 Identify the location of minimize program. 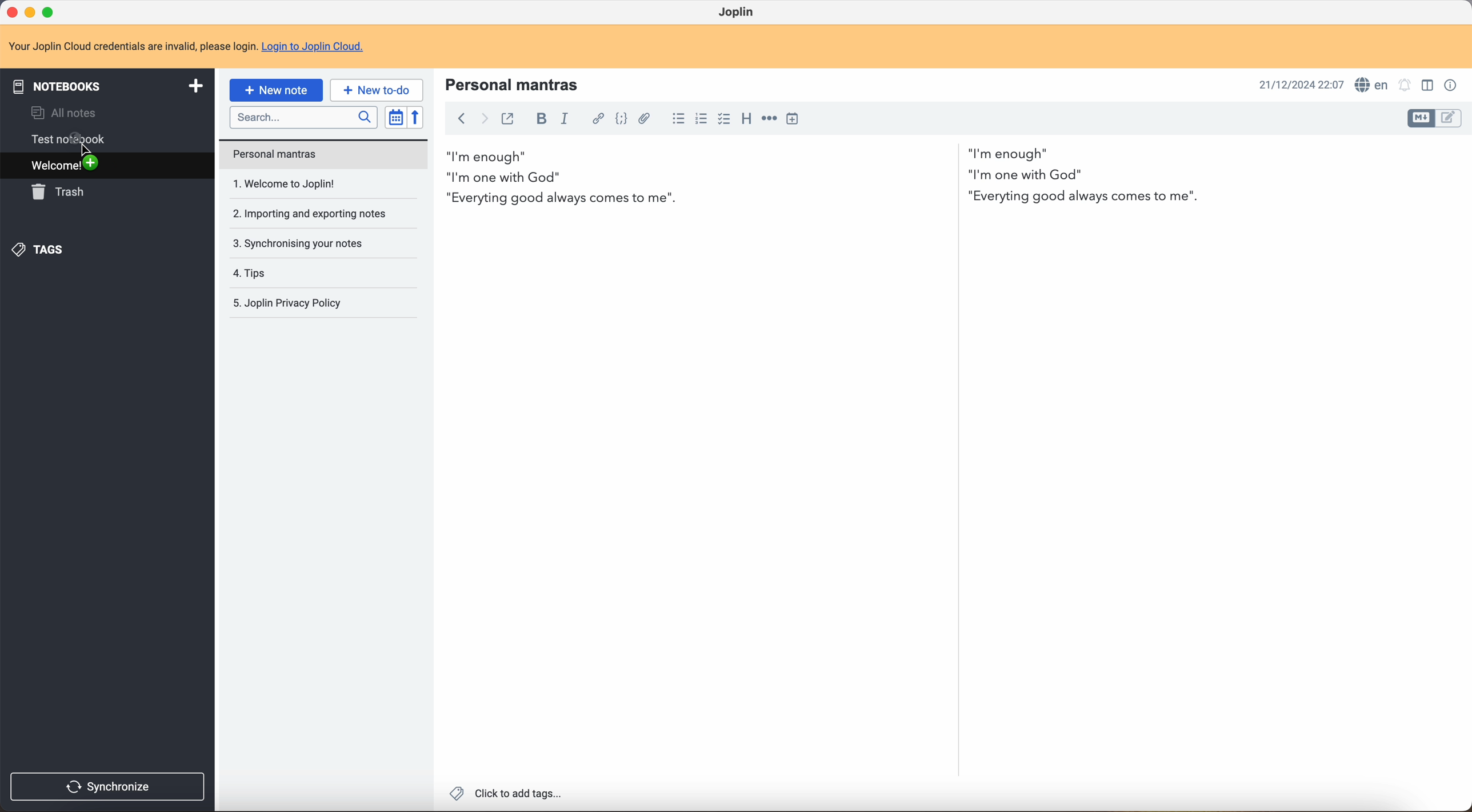
(32, 14).